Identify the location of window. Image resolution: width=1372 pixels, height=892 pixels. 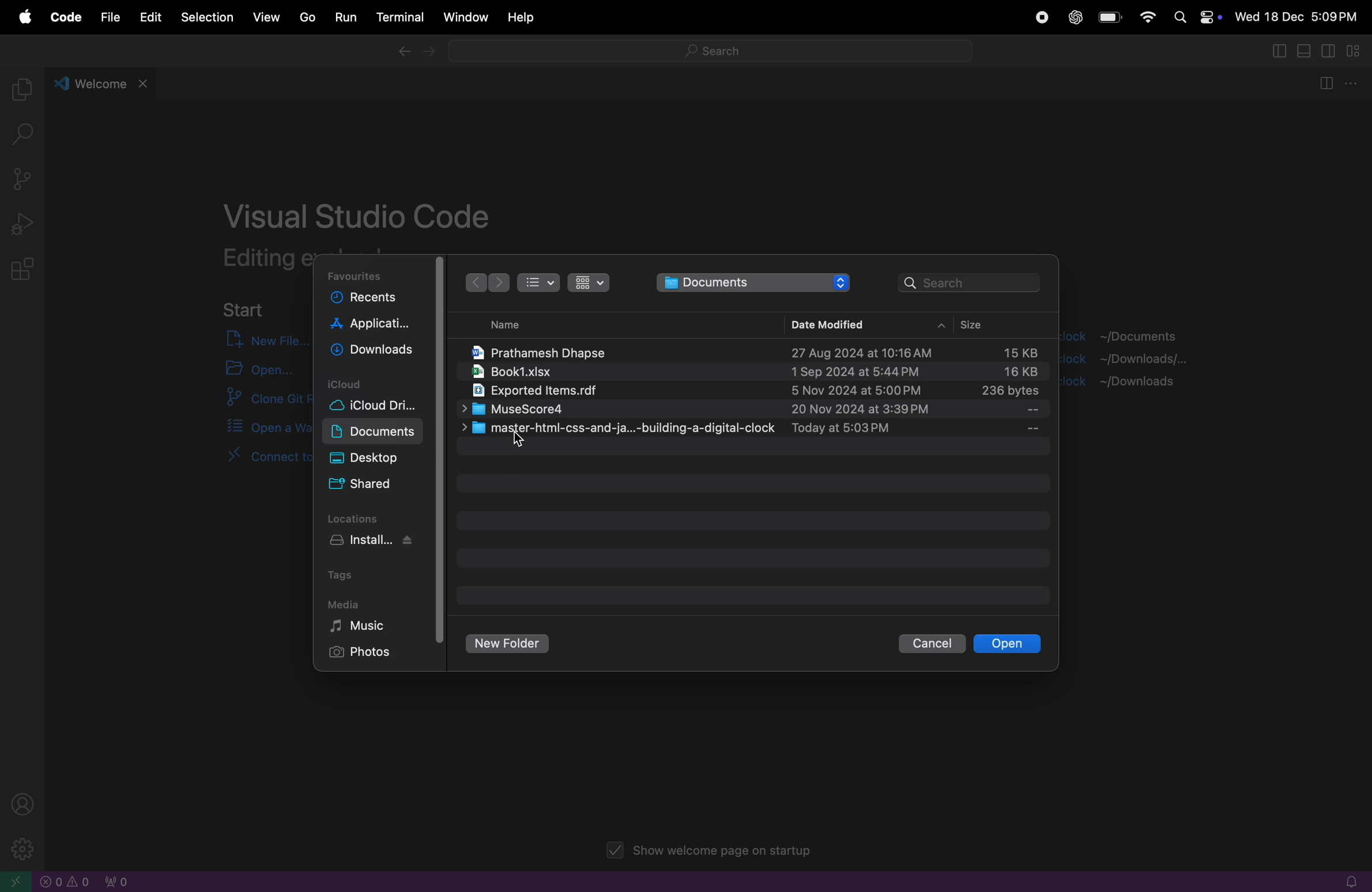
(463, 17).